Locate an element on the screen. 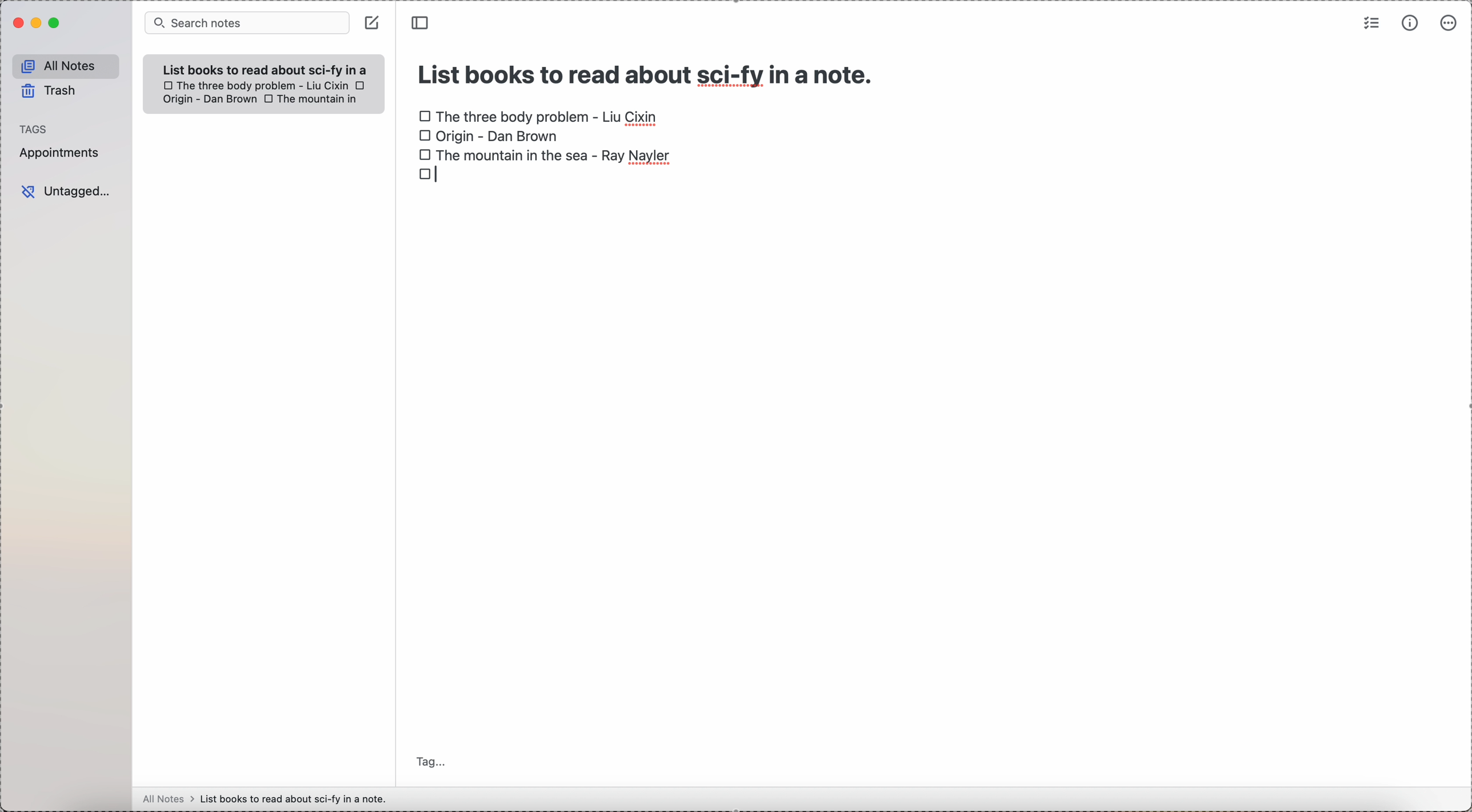 The height and width of the screenshot is (812, 1472). more options is located at coordinates (1447, 24).